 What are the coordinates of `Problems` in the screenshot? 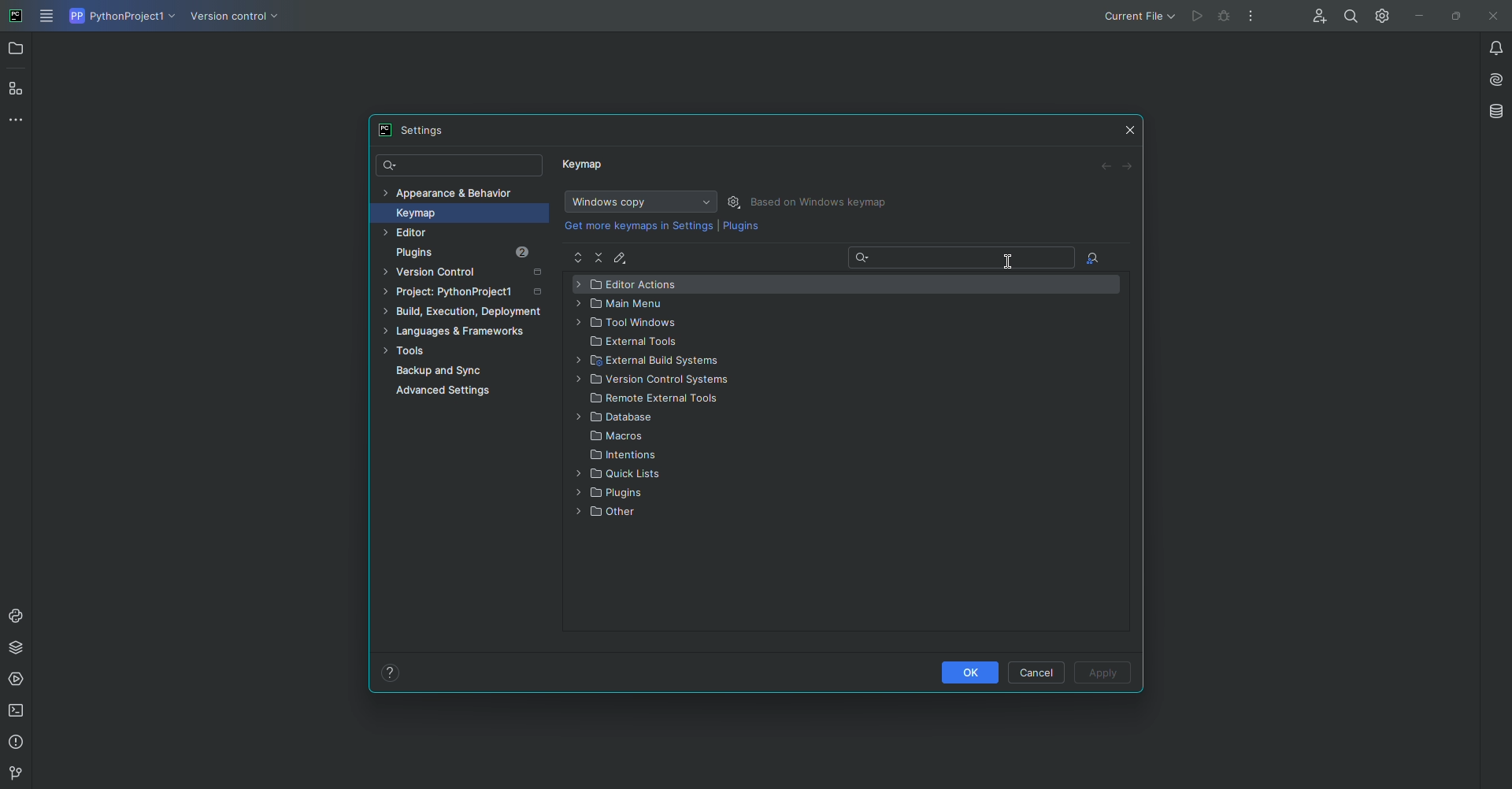 It's located at (18, 743).